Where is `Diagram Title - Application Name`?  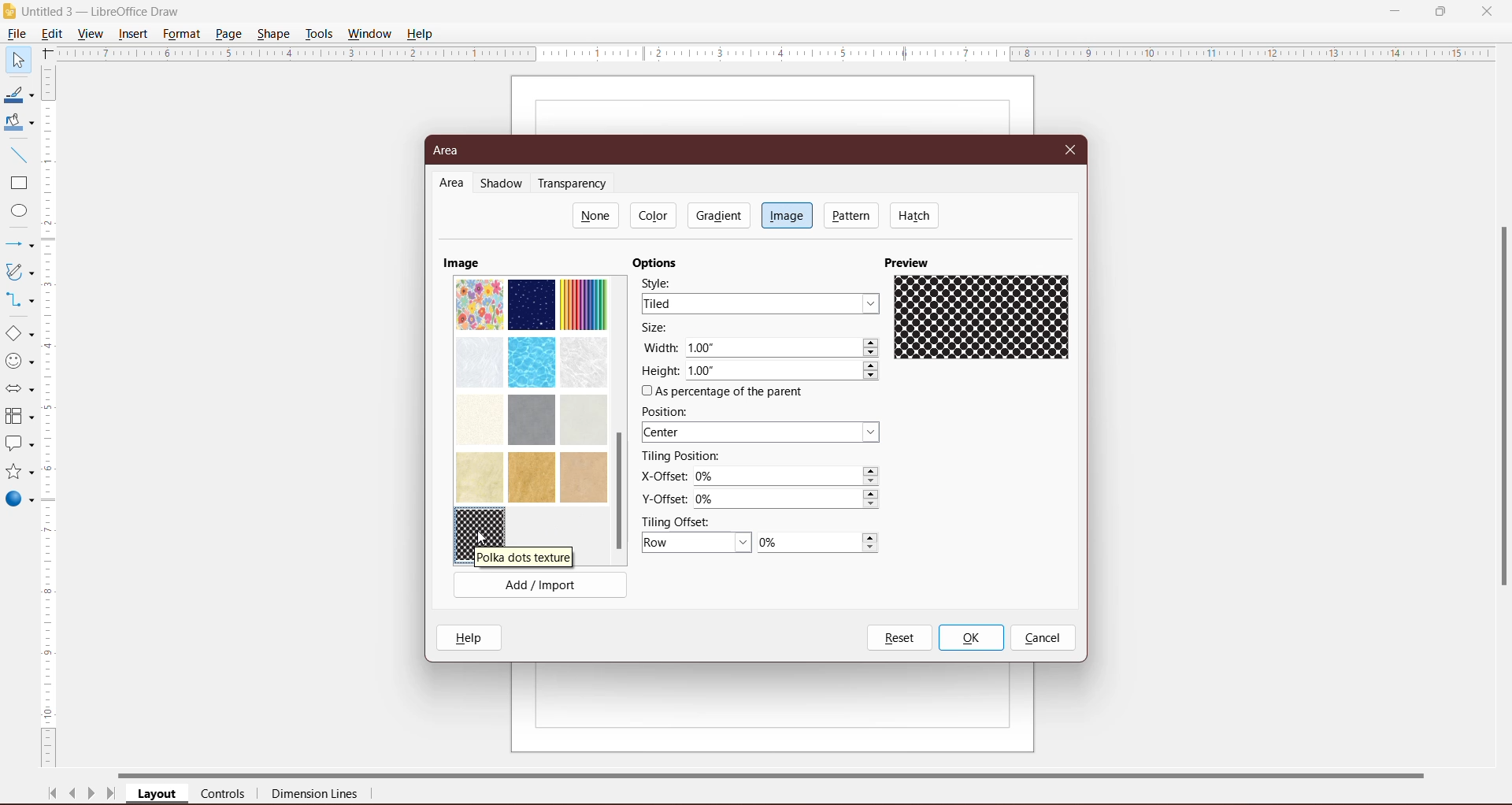 Diagram Title - Application Name is located at coordinates (106, 11).